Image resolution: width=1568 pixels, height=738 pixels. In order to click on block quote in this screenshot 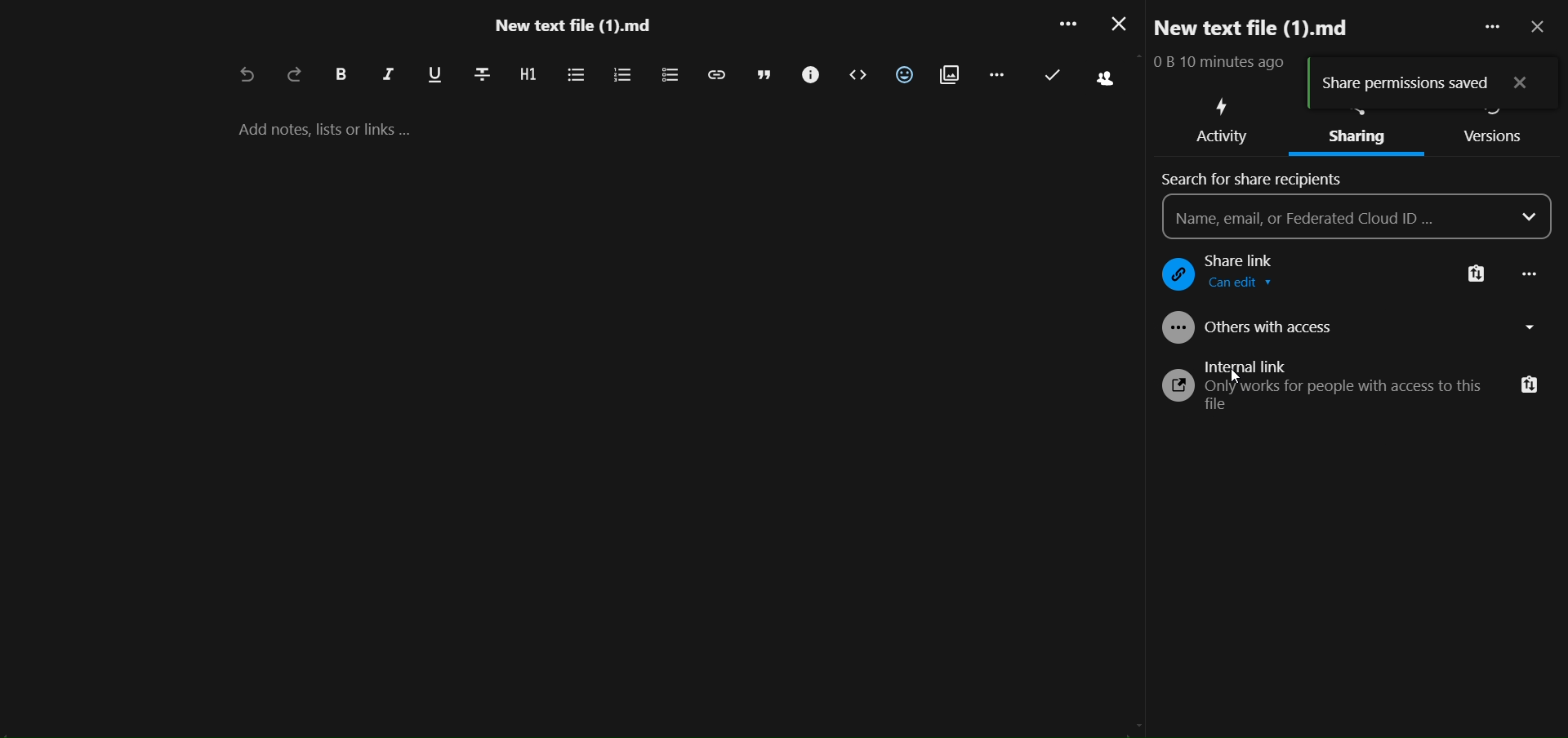, I will do `click(765, 75)`.